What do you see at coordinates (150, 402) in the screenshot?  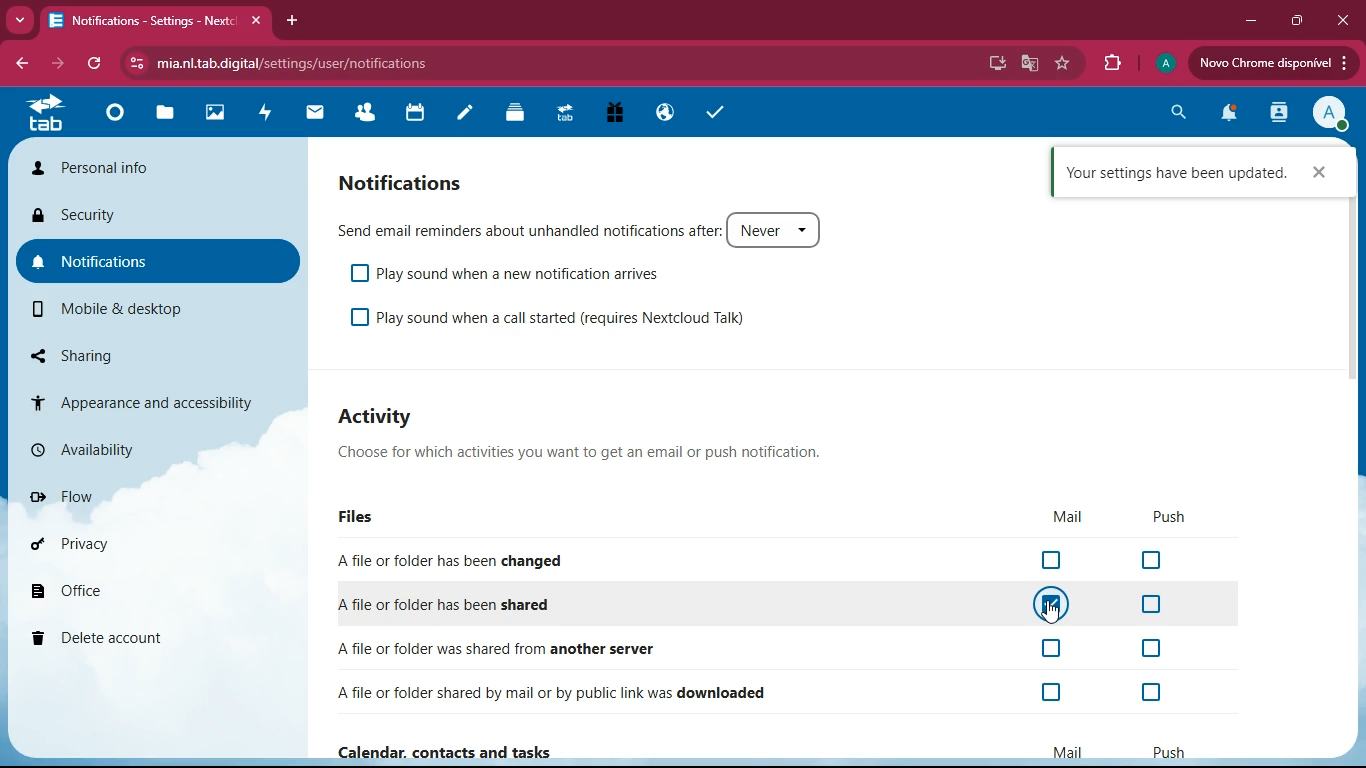 I see `appearance` at bounding box center [150, 402].